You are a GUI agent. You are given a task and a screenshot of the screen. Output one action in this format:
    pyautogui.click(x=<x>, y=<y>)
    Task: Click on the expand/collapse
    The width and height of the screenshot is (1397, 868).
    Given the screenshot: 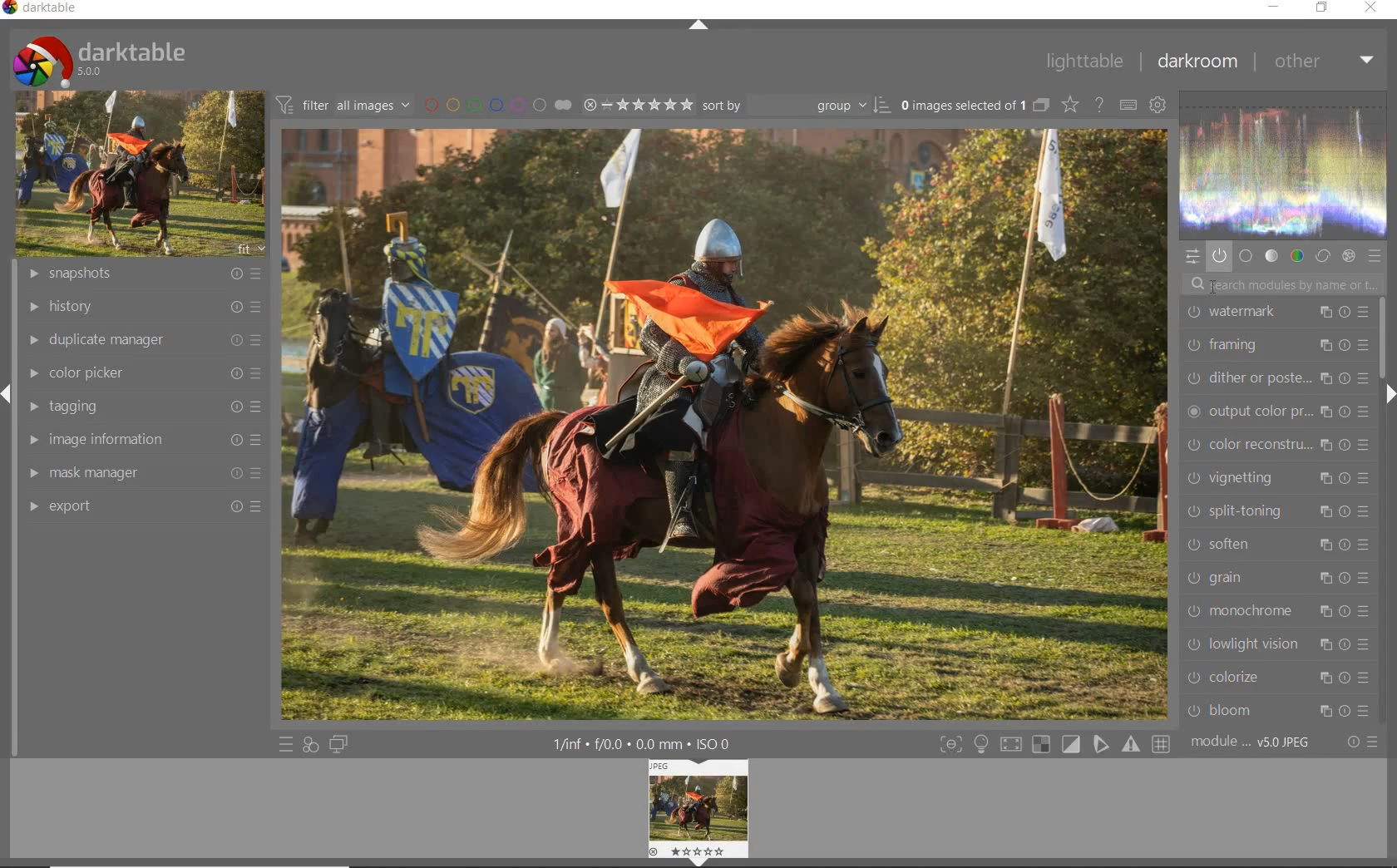 What is the action you would take?
    pyautogui.click(x=698, y=24)
    